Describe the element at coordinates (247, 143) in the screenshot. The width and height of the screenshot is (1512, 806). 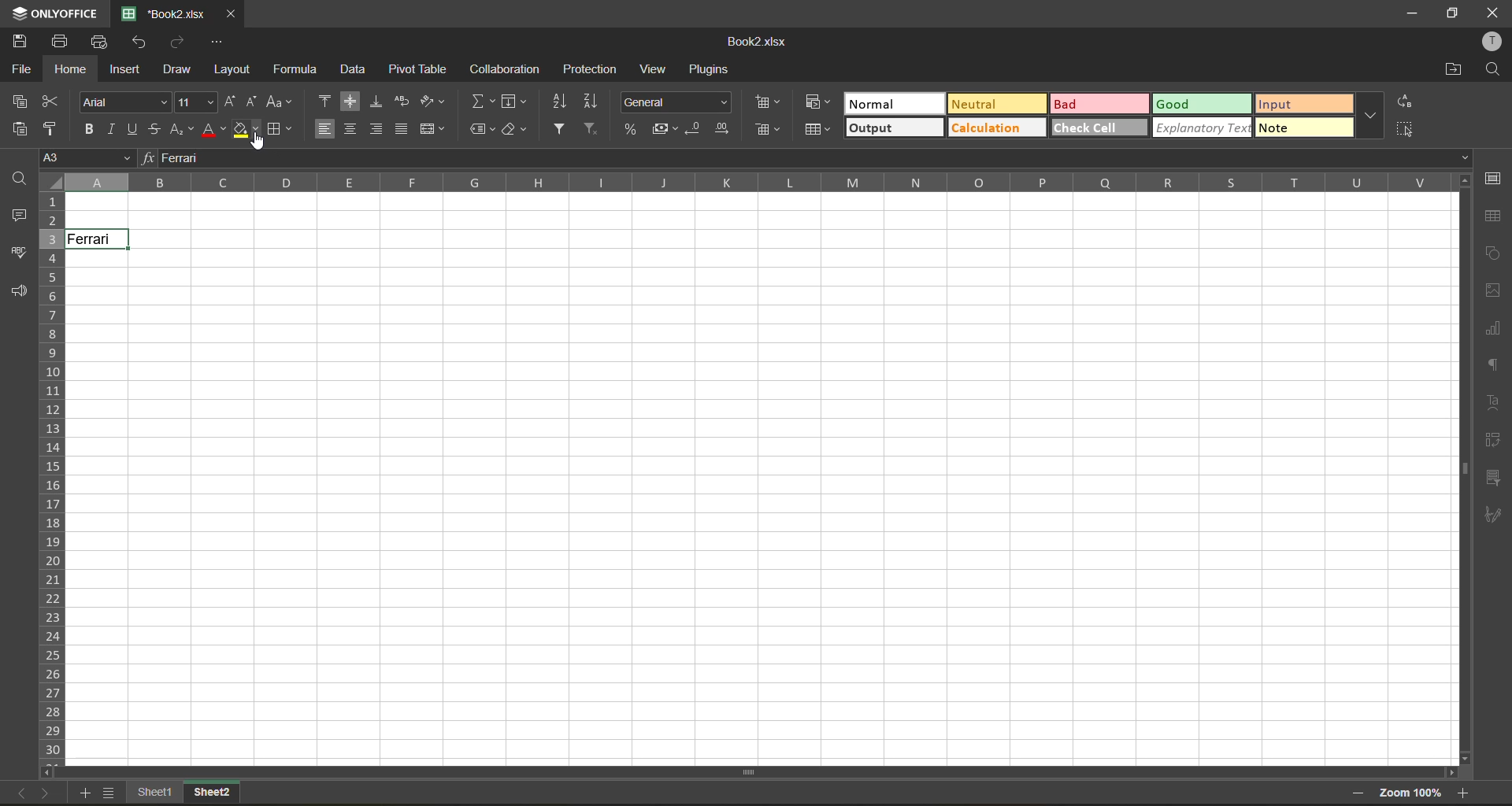
I see `Cursor` at that location.